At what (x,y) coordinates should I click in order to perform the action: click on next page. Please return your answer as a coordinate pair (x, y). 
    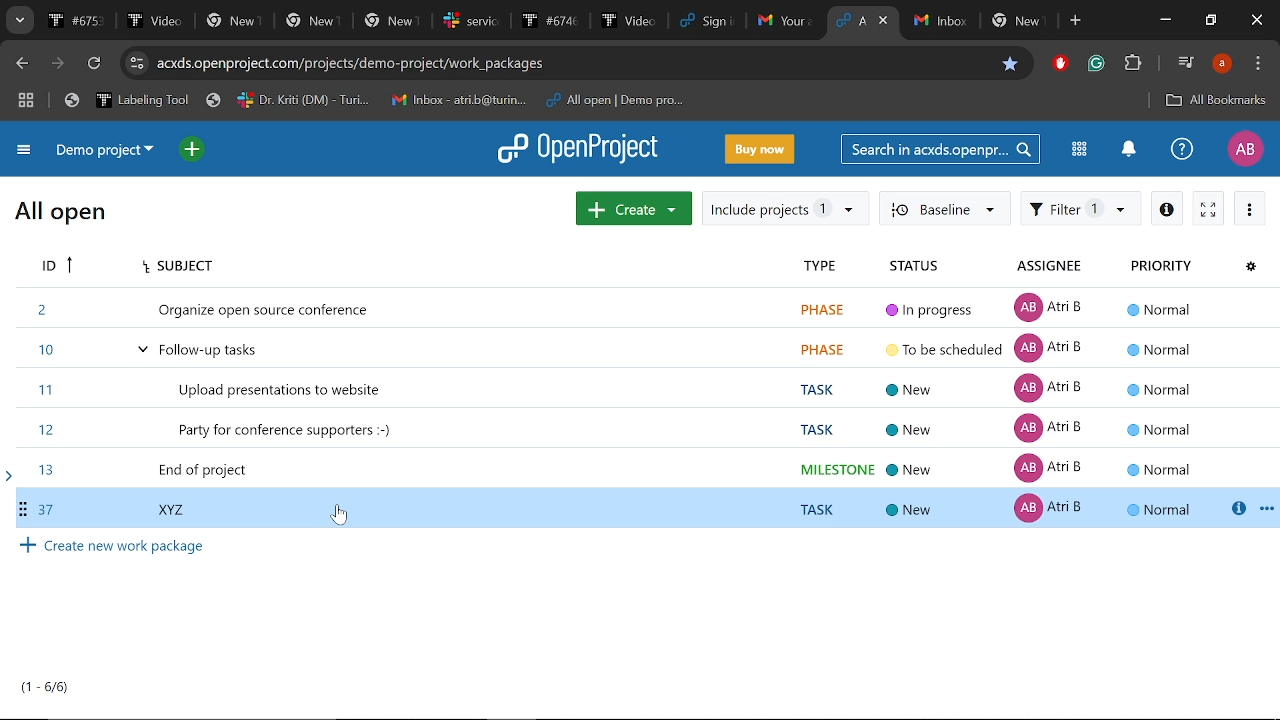
    Looking at the image, I should click on (57, 64).